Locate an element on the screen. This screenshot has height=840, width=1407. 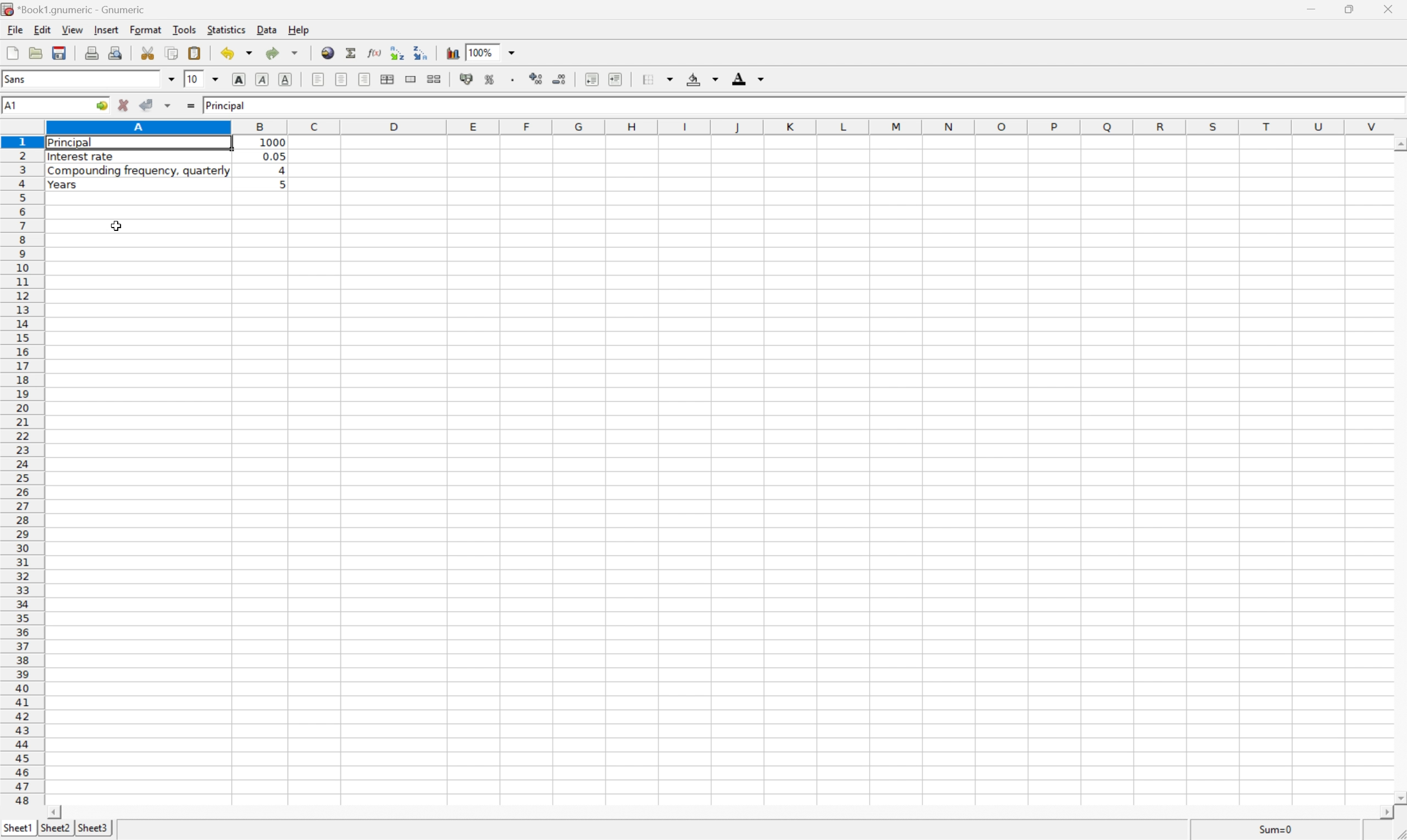
insert hyperlink is located at coordinates (328, 51).